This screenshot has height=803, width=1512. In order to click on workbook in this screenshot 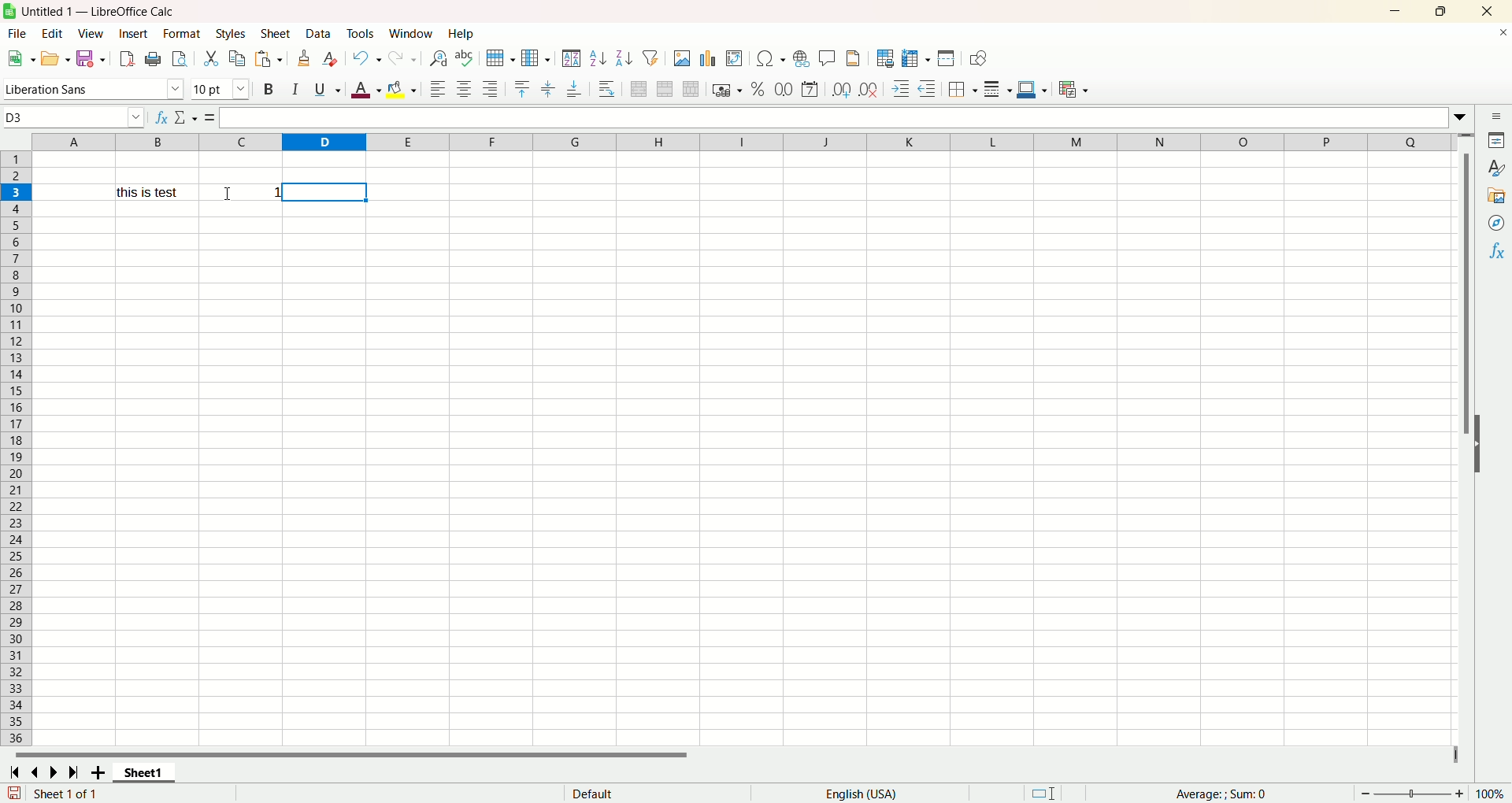, I will do `click(741, 472)`.